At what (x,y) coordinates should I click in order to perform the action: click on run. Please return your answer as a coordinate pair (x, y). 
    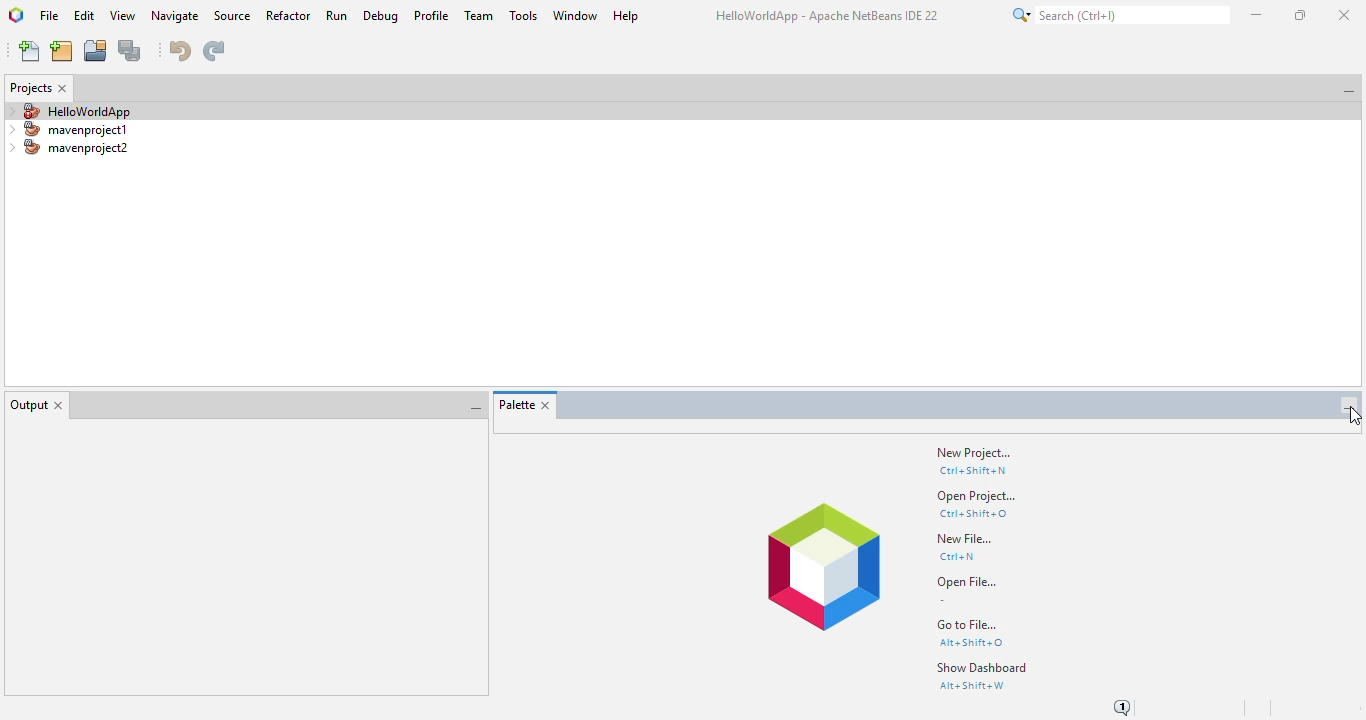
    Looking at the image, I should click on (337, 15).